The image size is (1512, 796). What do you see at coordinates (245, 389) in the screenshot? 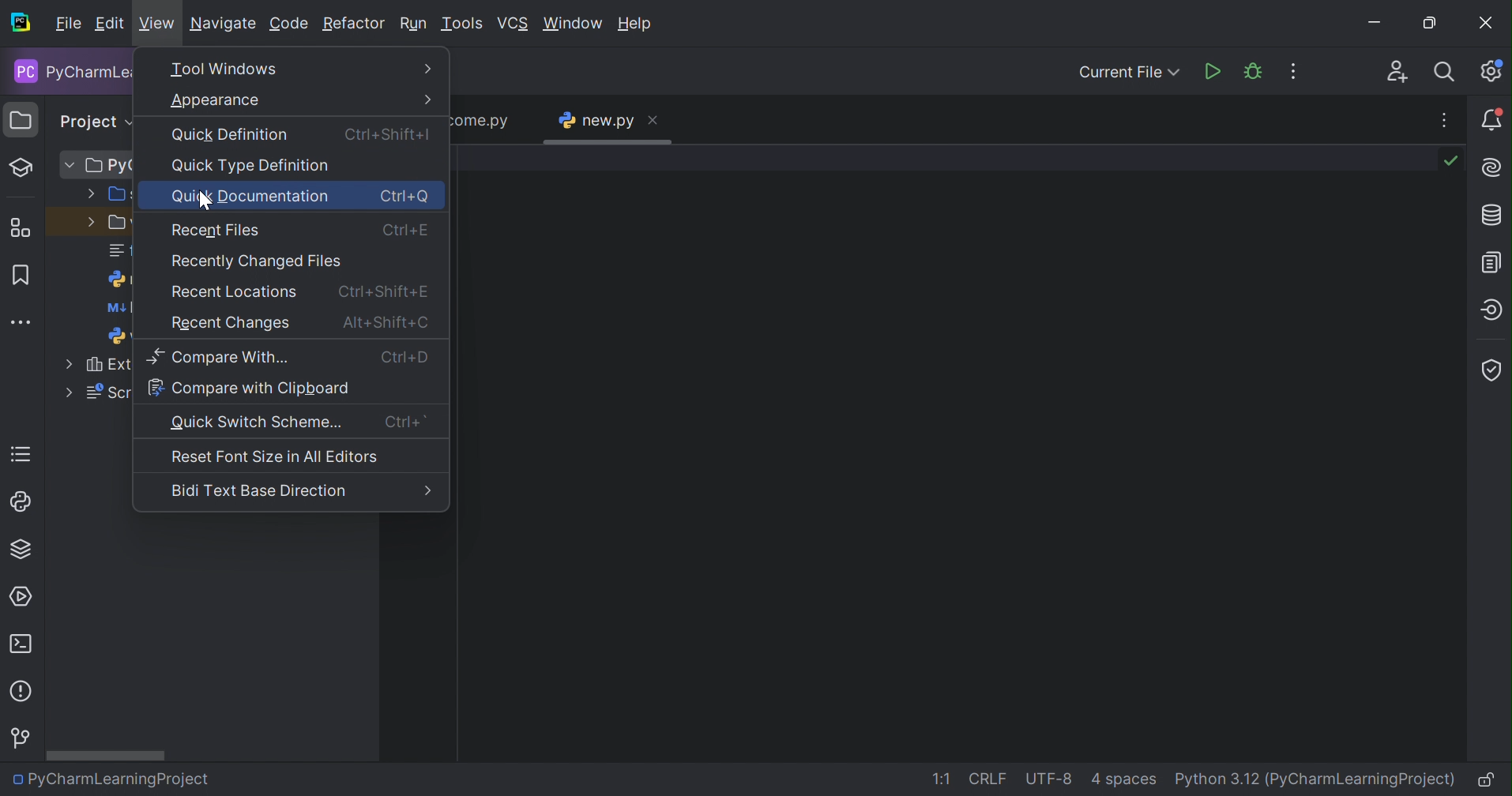
I see `Compare With Clipboard` at bounding box center [245, 389].